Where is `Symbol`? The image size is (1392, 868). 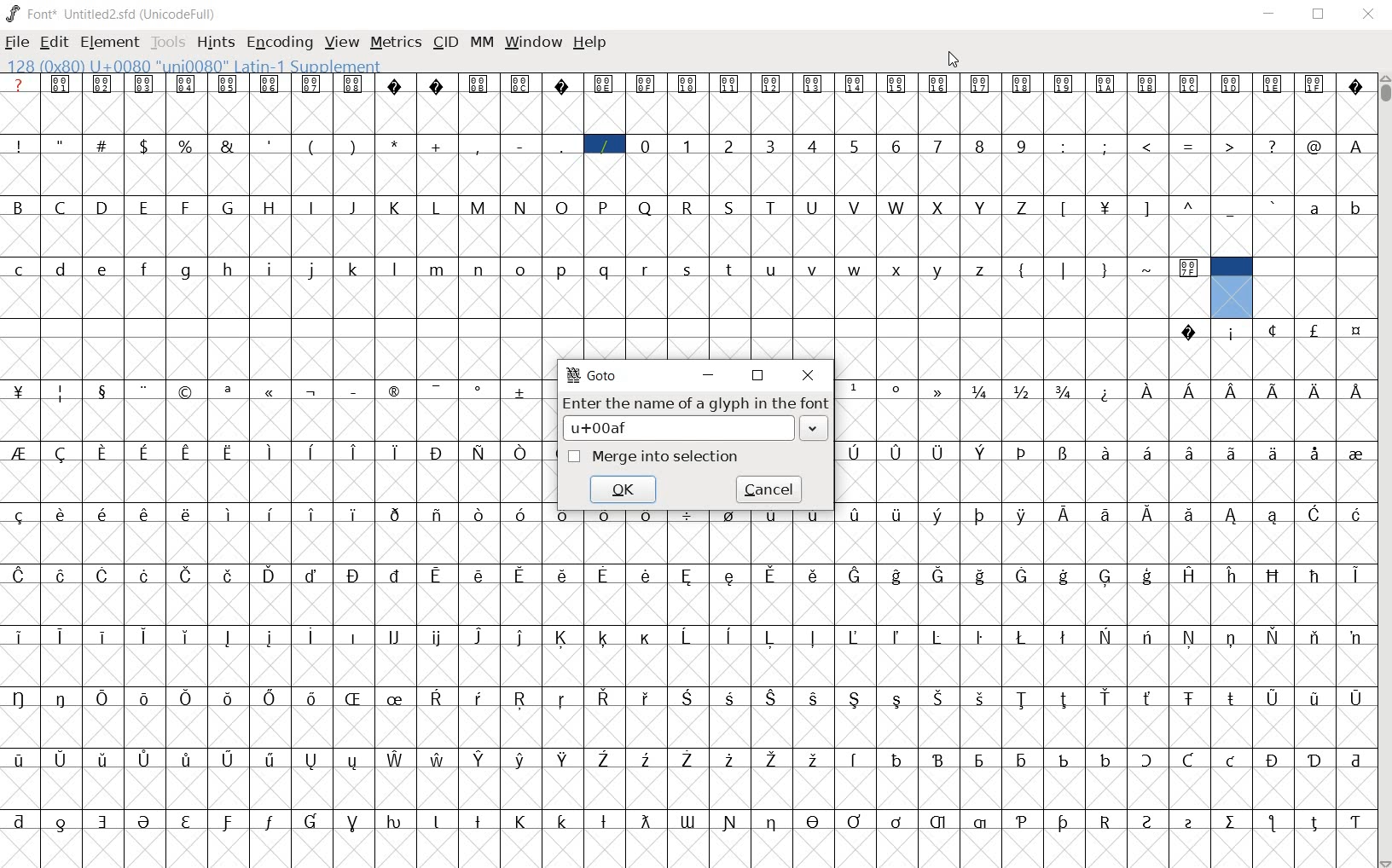
Symbol is located at coordinates (187, 84).